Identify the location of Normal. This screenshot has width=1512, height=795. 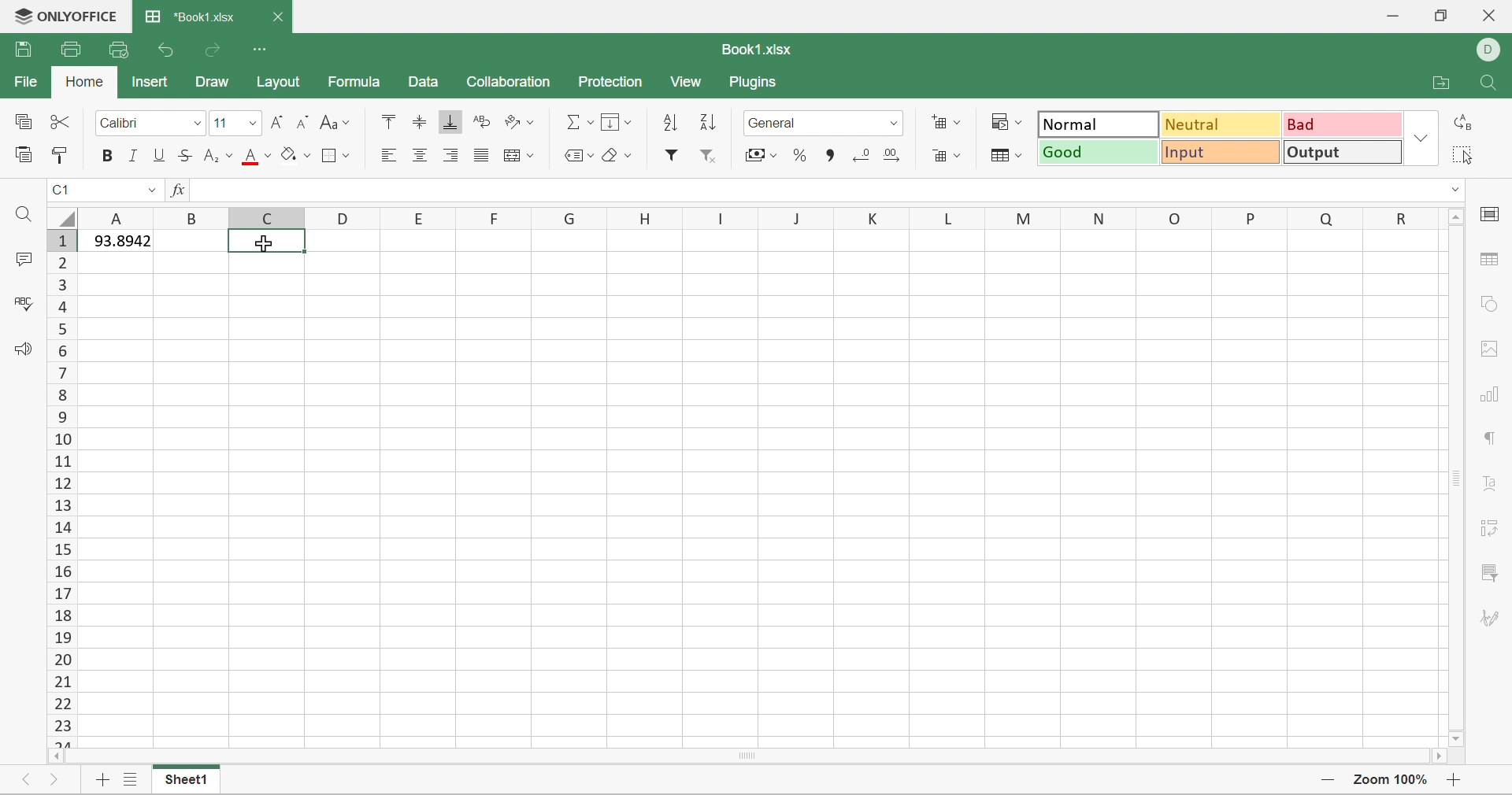
(1097, 124).